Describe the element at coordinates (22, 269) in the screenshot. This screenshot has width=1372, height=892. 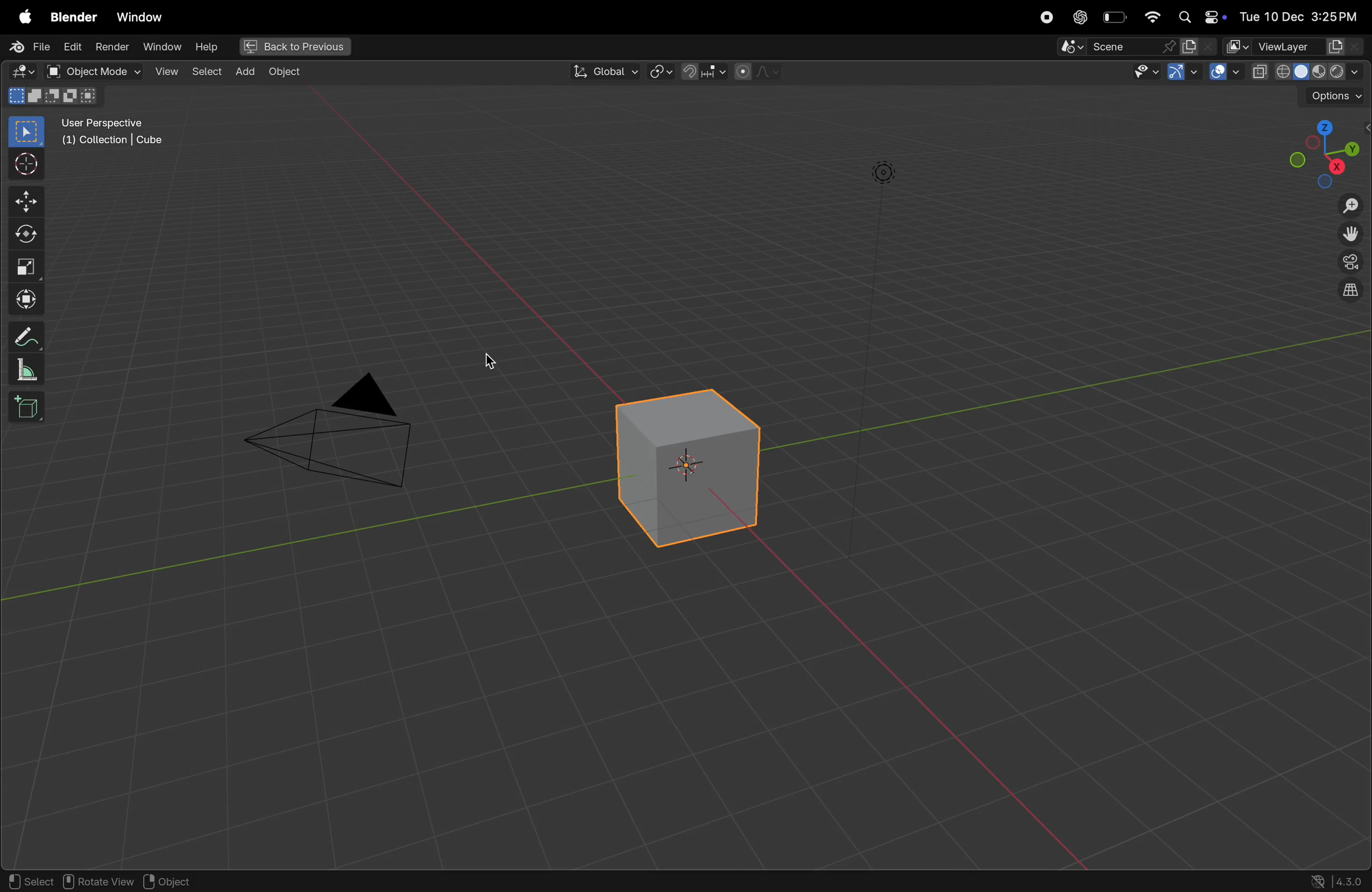
I see `scale` at that location.